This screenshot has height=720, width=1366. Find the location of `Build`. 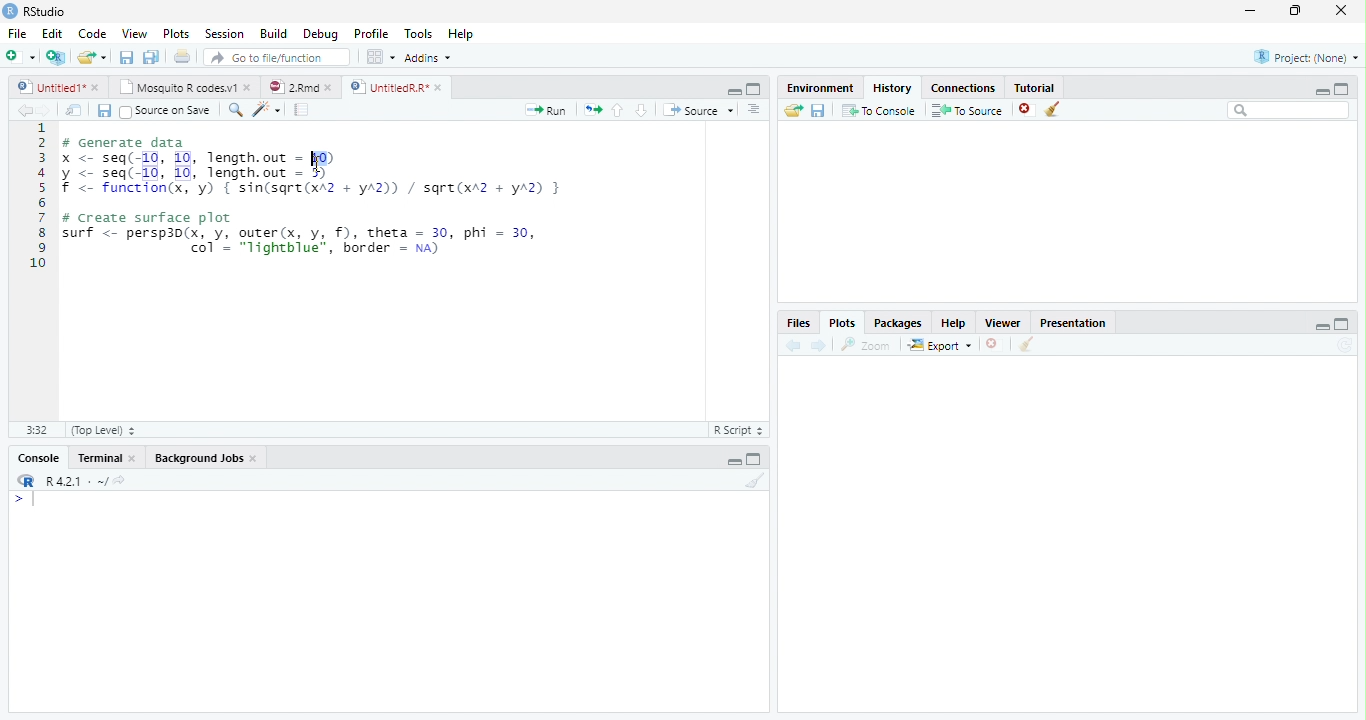

Build is located at coordinates (273, 33).